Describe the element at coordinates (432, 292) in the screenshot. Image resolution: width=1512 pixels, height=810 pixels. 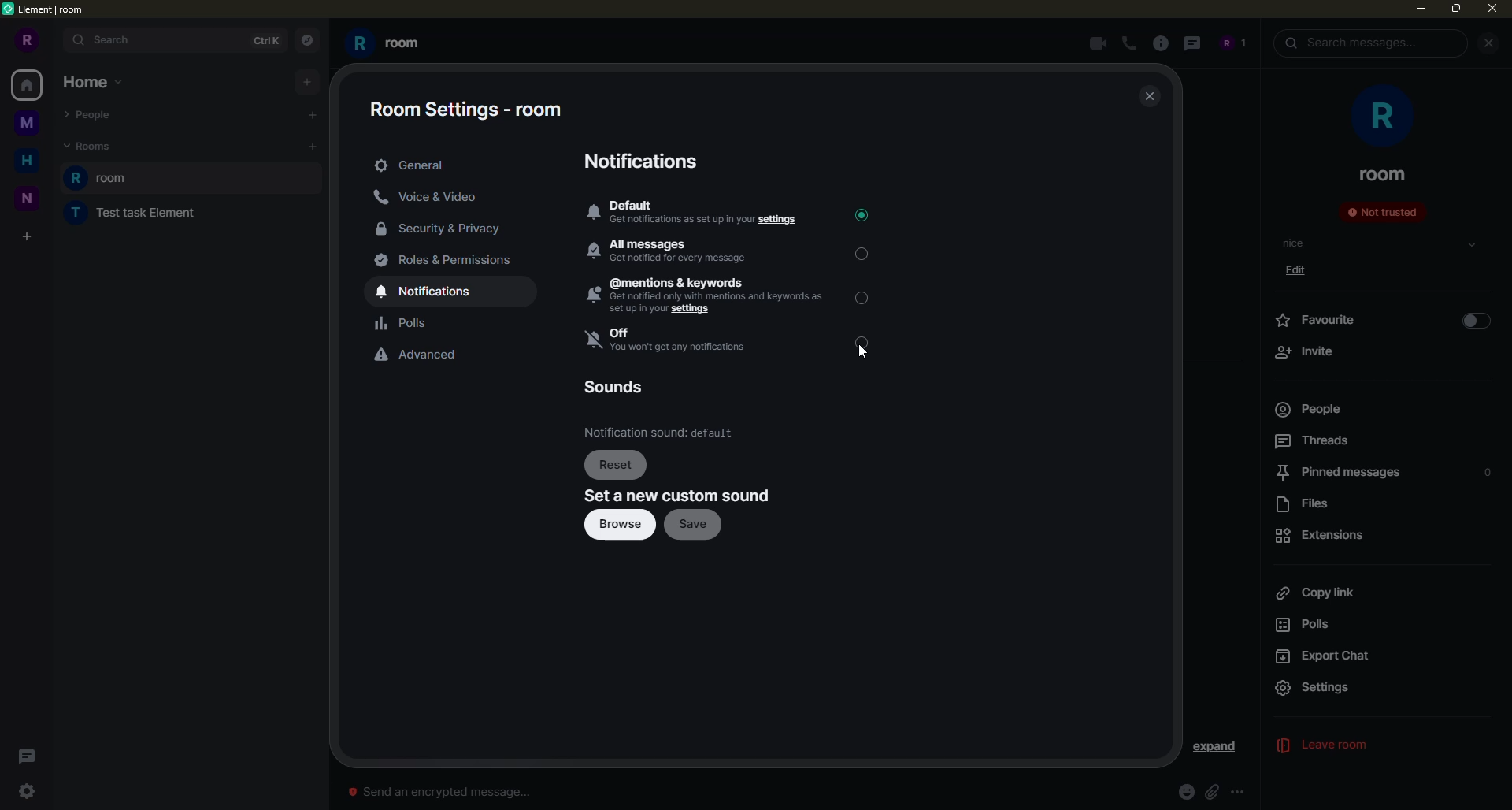
I see `notifications` at that location.